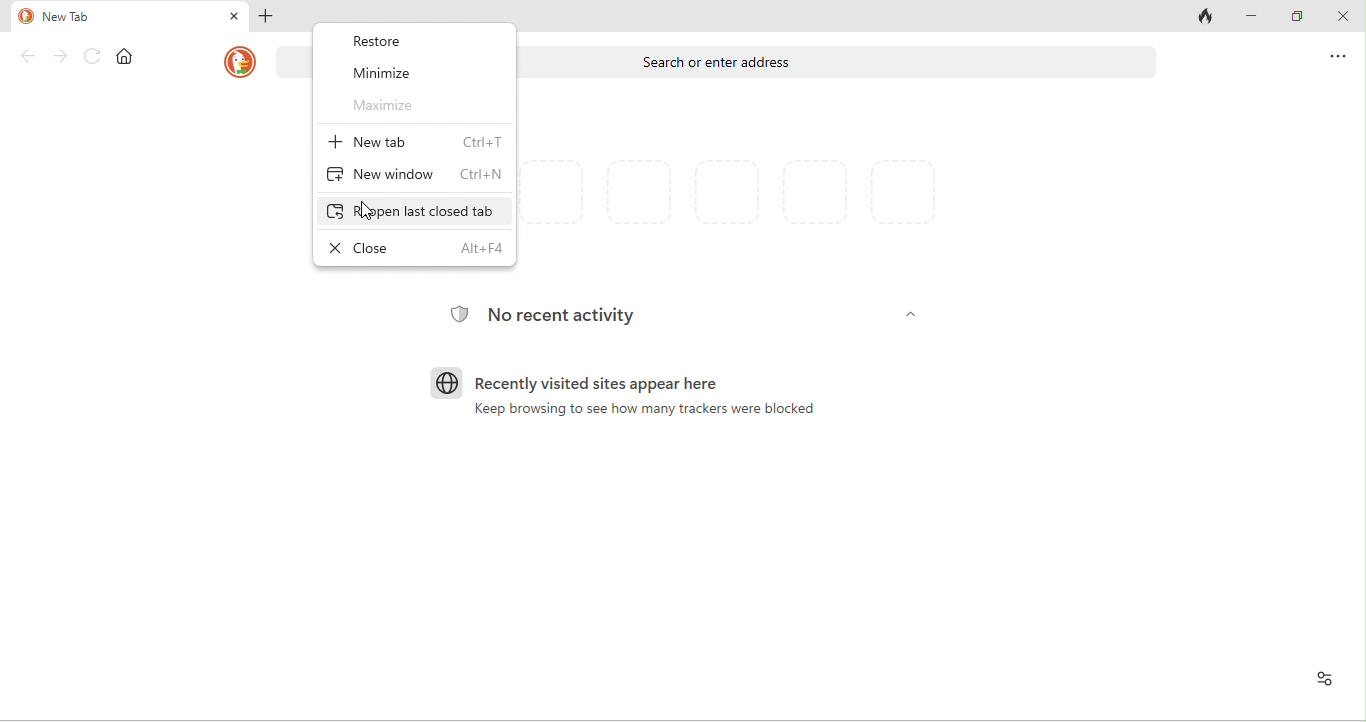  What do you see at coordinates (1304, 18) in the screenshot?
I see `maximize` at bounding box center [1304, 18].